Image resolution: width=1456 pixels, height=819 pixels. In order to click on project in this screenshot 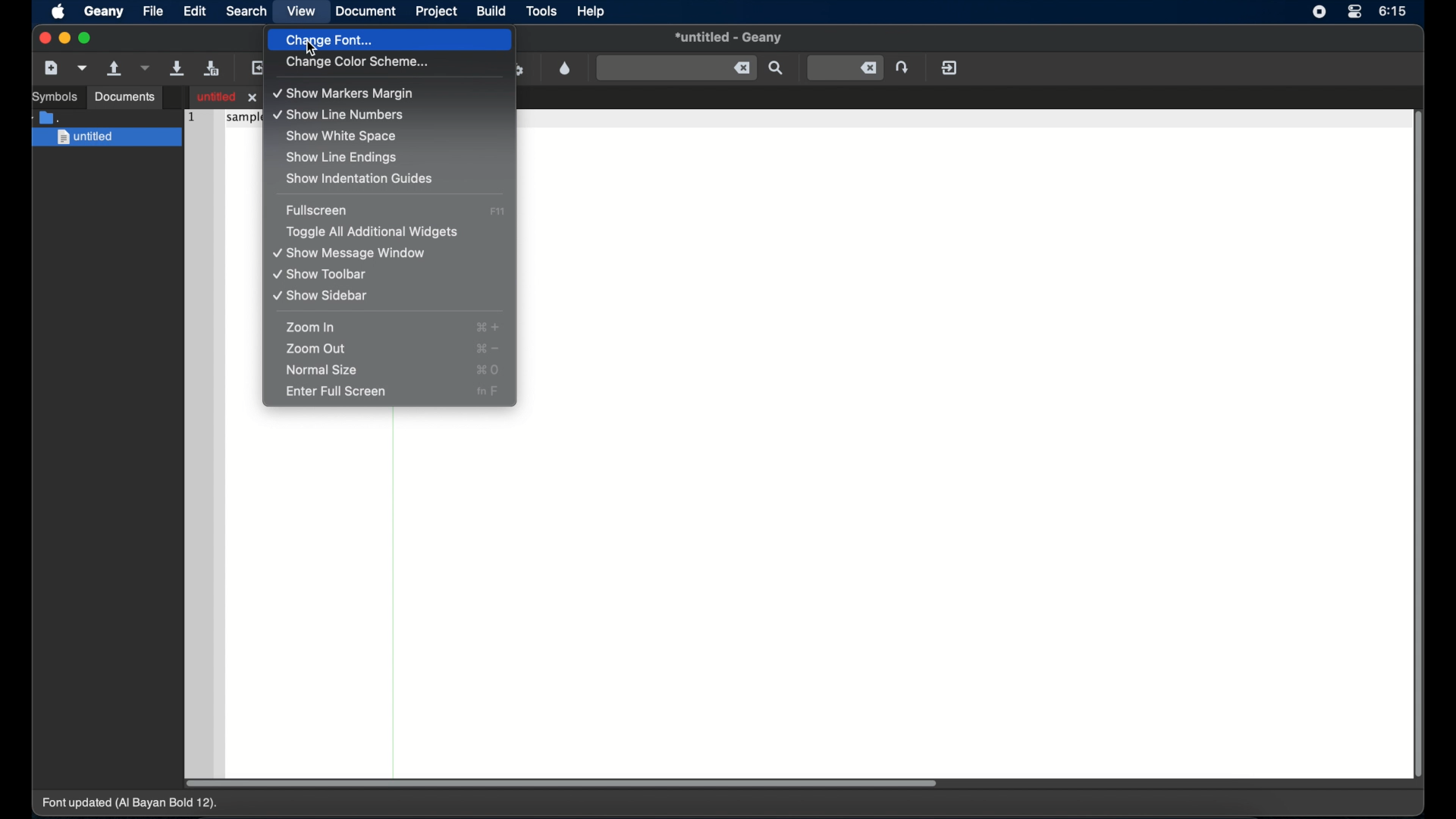, I will do `click(435, 11)`.